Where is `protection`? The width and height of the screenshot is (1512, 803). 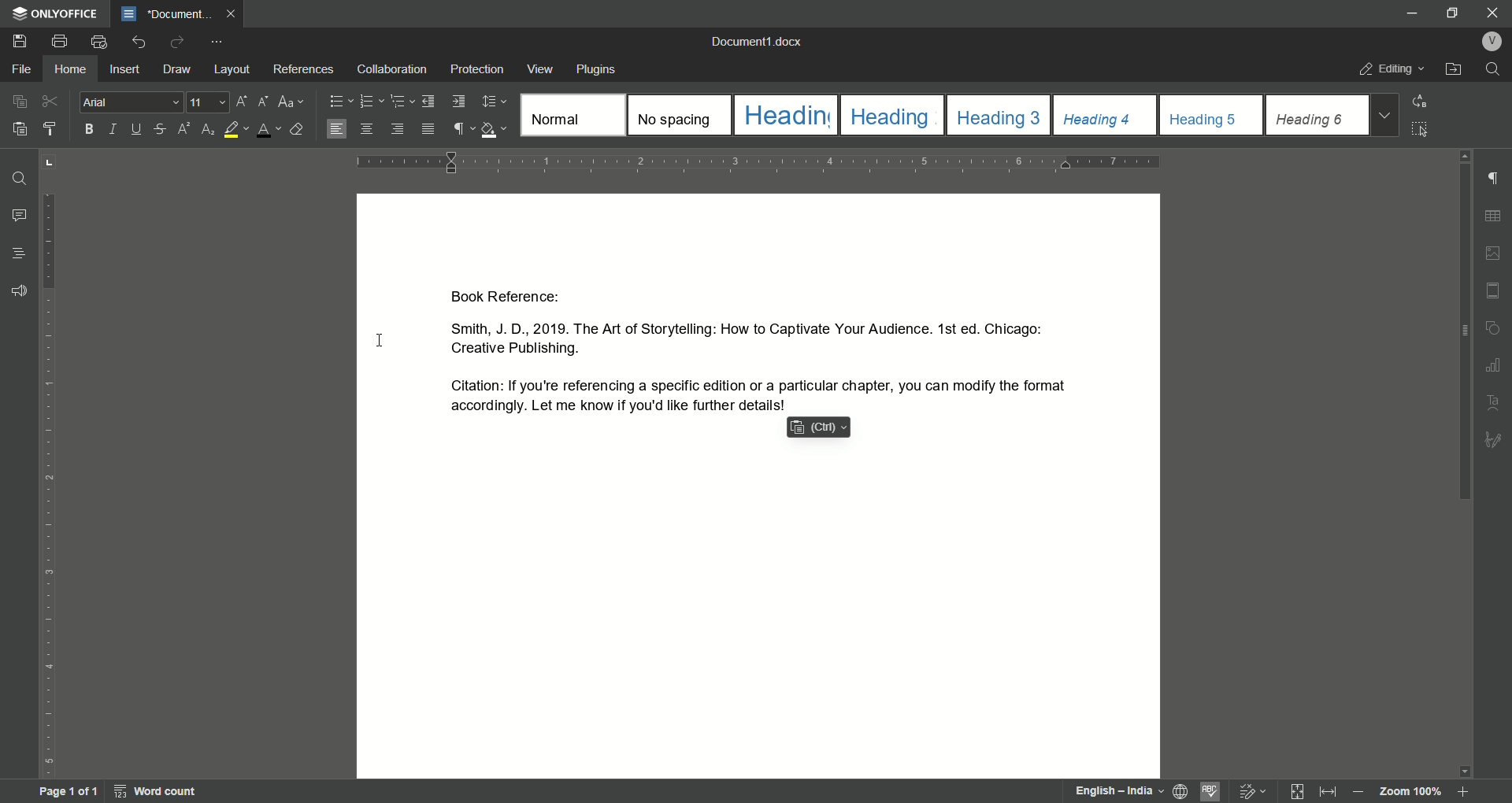 protection is located at coordinates (478, 68).